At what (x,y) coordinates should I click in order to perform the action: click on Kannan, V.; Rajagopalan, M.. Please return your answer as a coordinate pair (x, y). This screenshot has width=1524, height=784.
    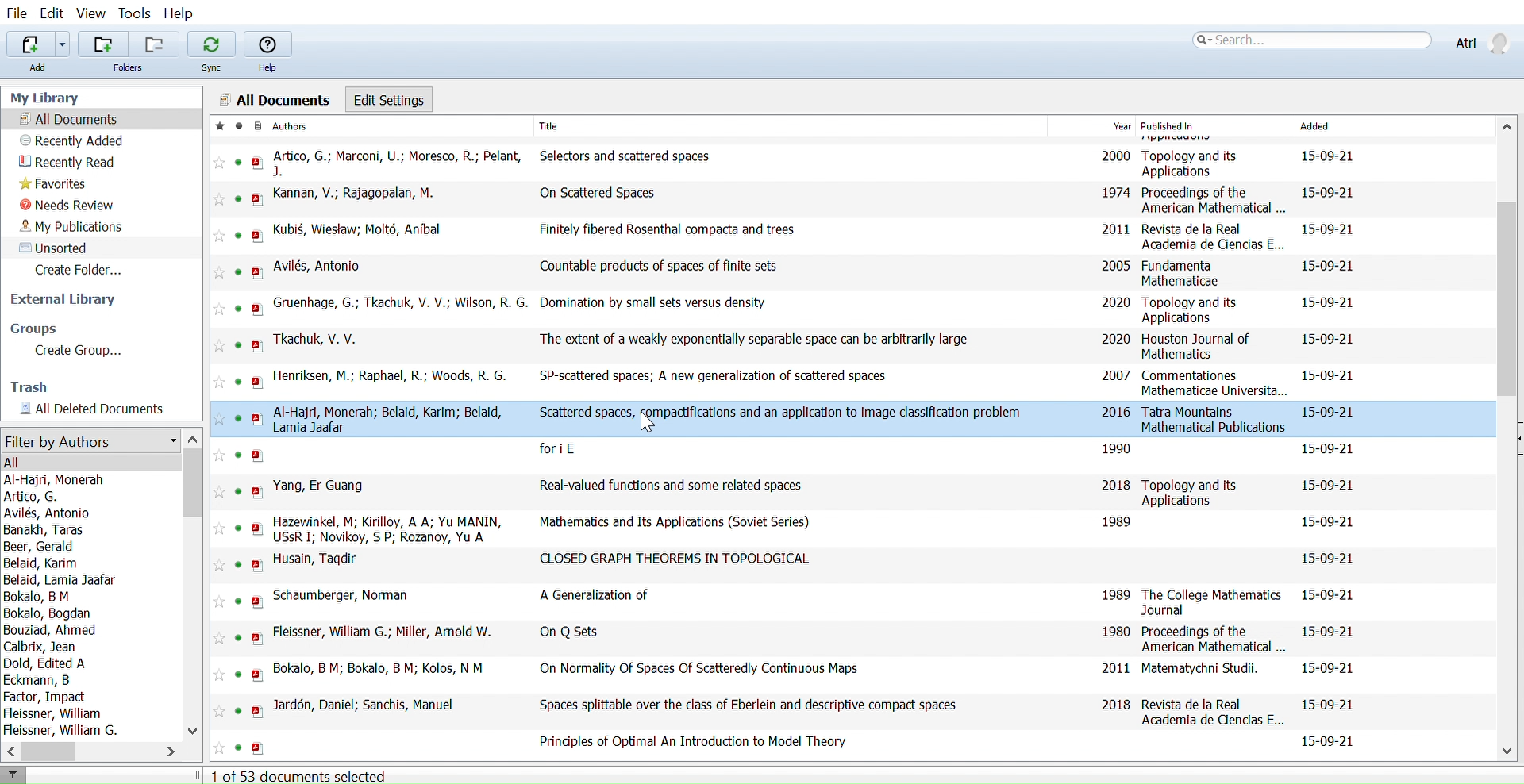
    Looking at the image, I should click on (354, 194).